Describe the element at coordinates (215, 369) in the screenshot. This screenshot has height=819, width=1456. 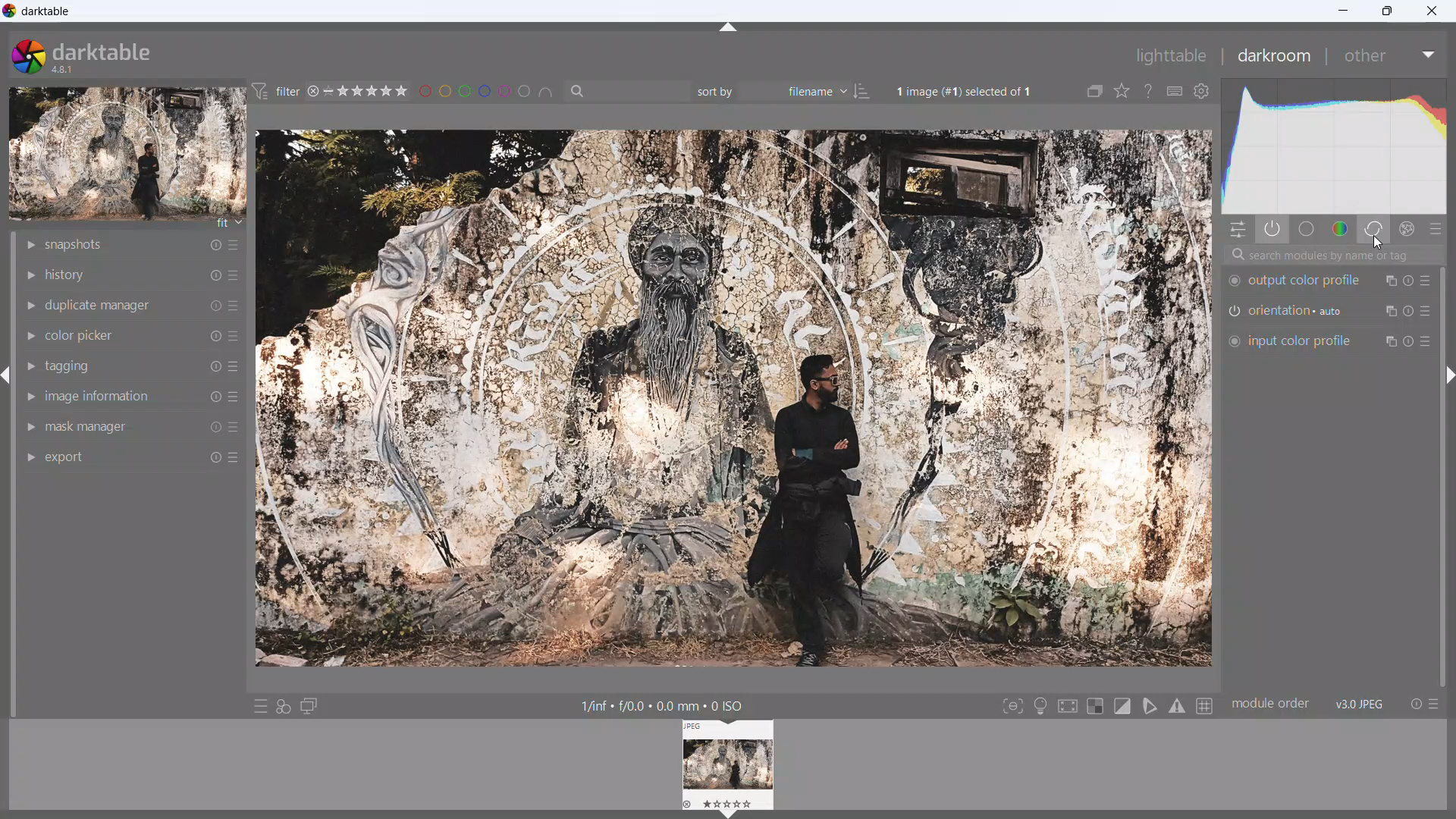
I see `reset` at that location.